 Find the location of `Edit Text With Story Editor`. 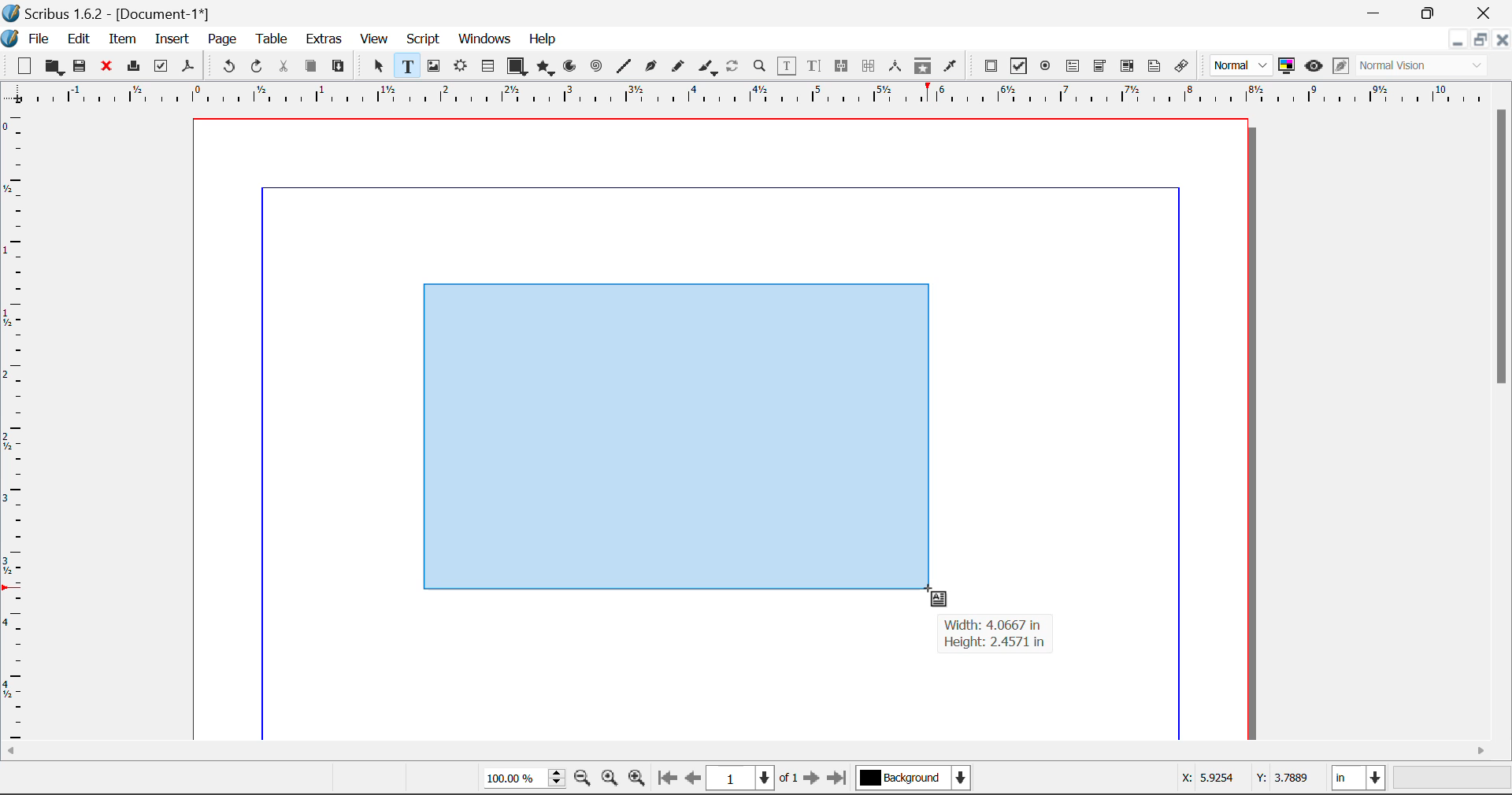

Edit Text With Story Editor is located at coordinates (813, 67).